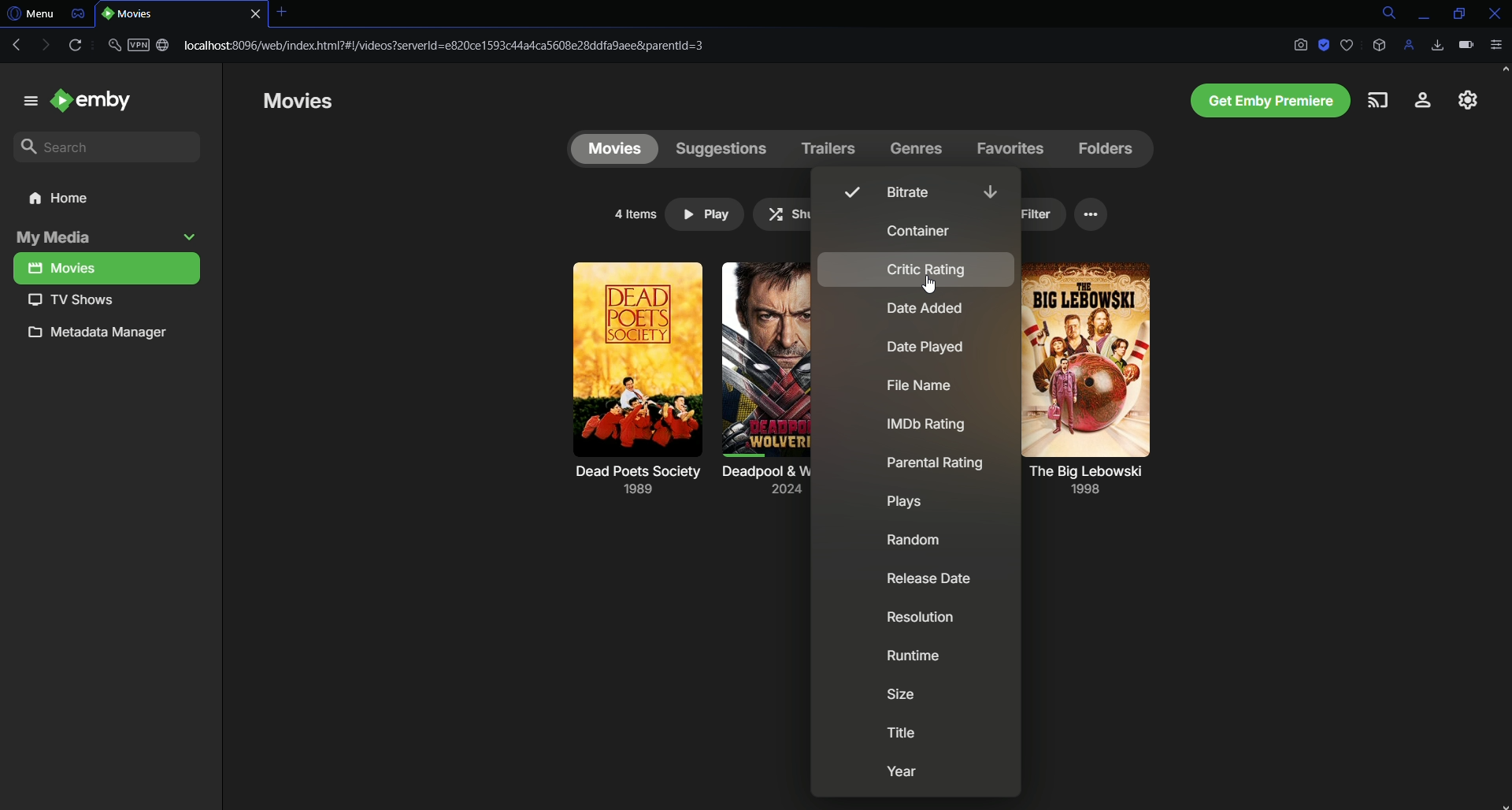 The image size is (1512, 810). I want to click on Trailers, so click(827, 147).